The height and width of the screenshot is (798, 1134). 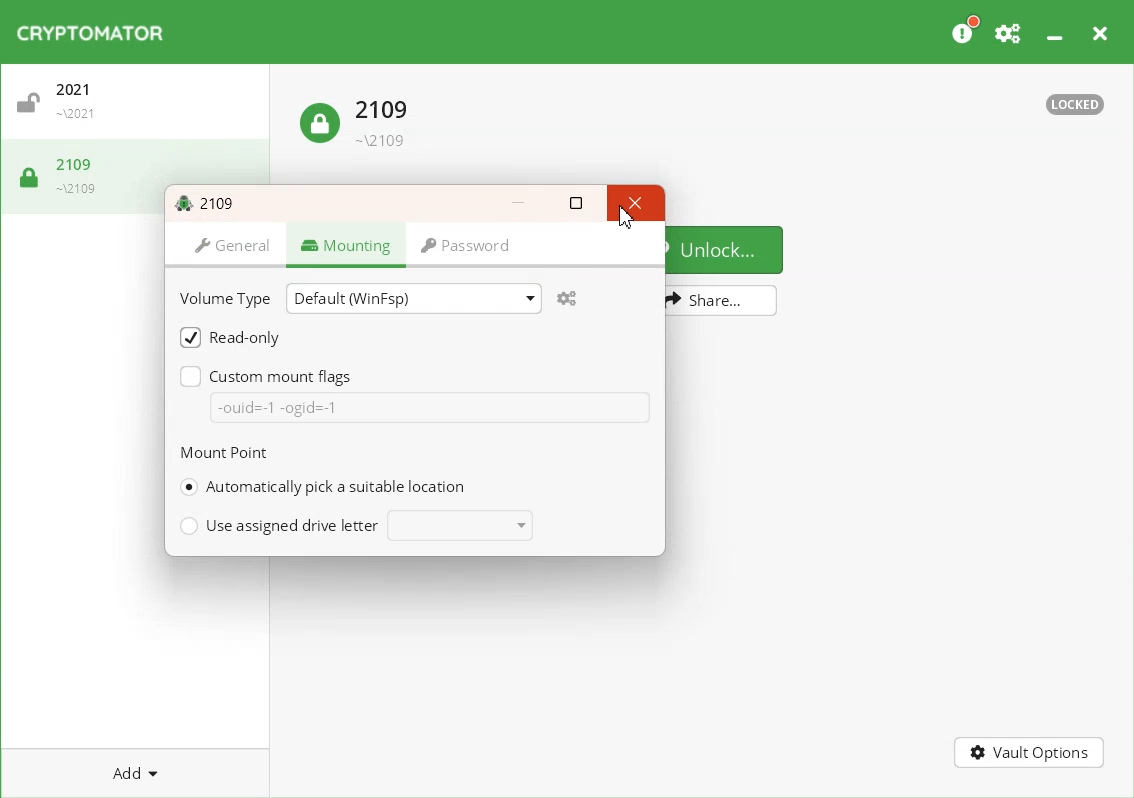 What do you see at coordinates (570, 298) in the screenshot?
I see `Open virtual drive preferences` at bounding box center [570, 298].